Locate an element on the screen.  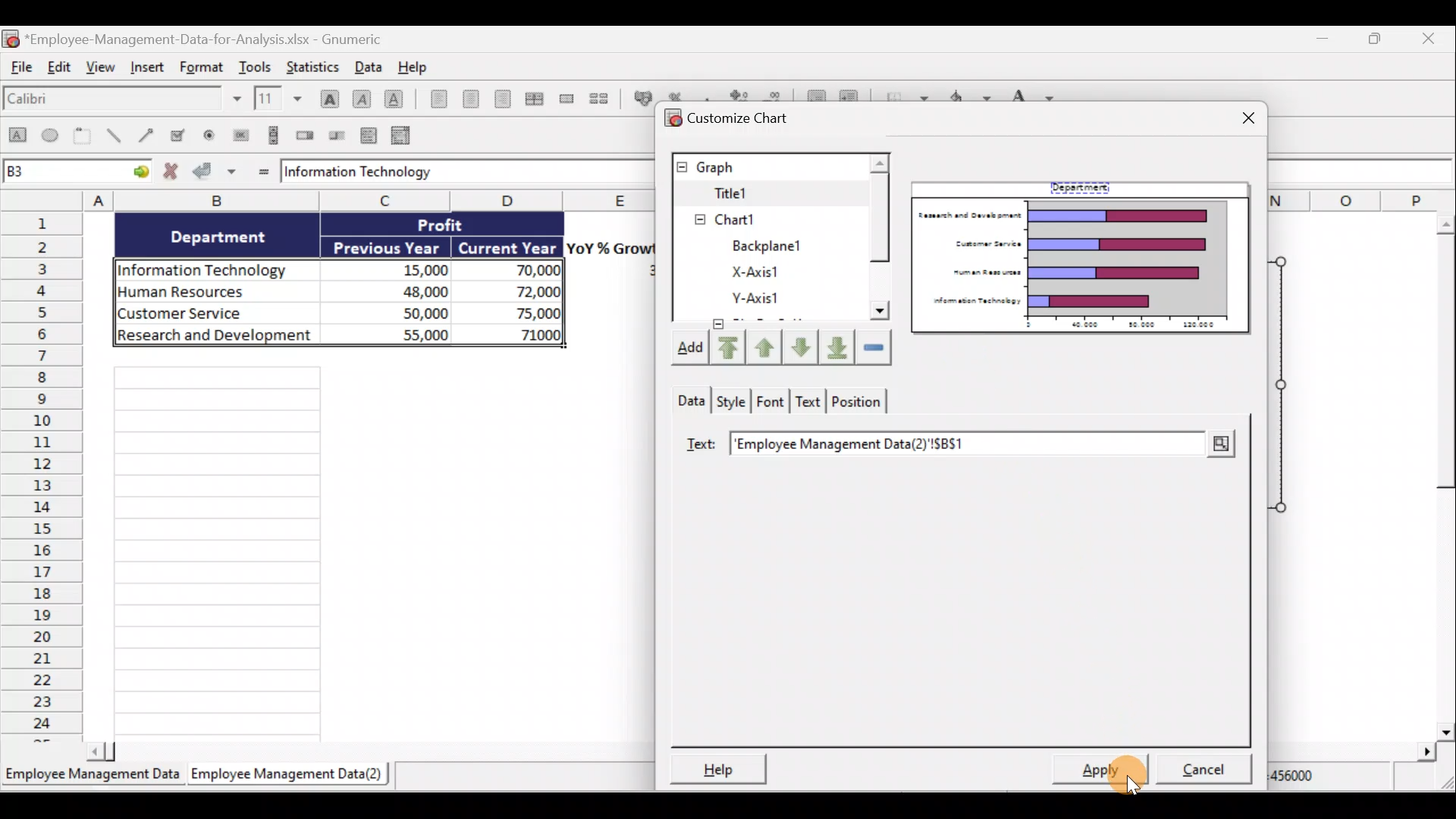
Add is located at coordinates (686, 348).